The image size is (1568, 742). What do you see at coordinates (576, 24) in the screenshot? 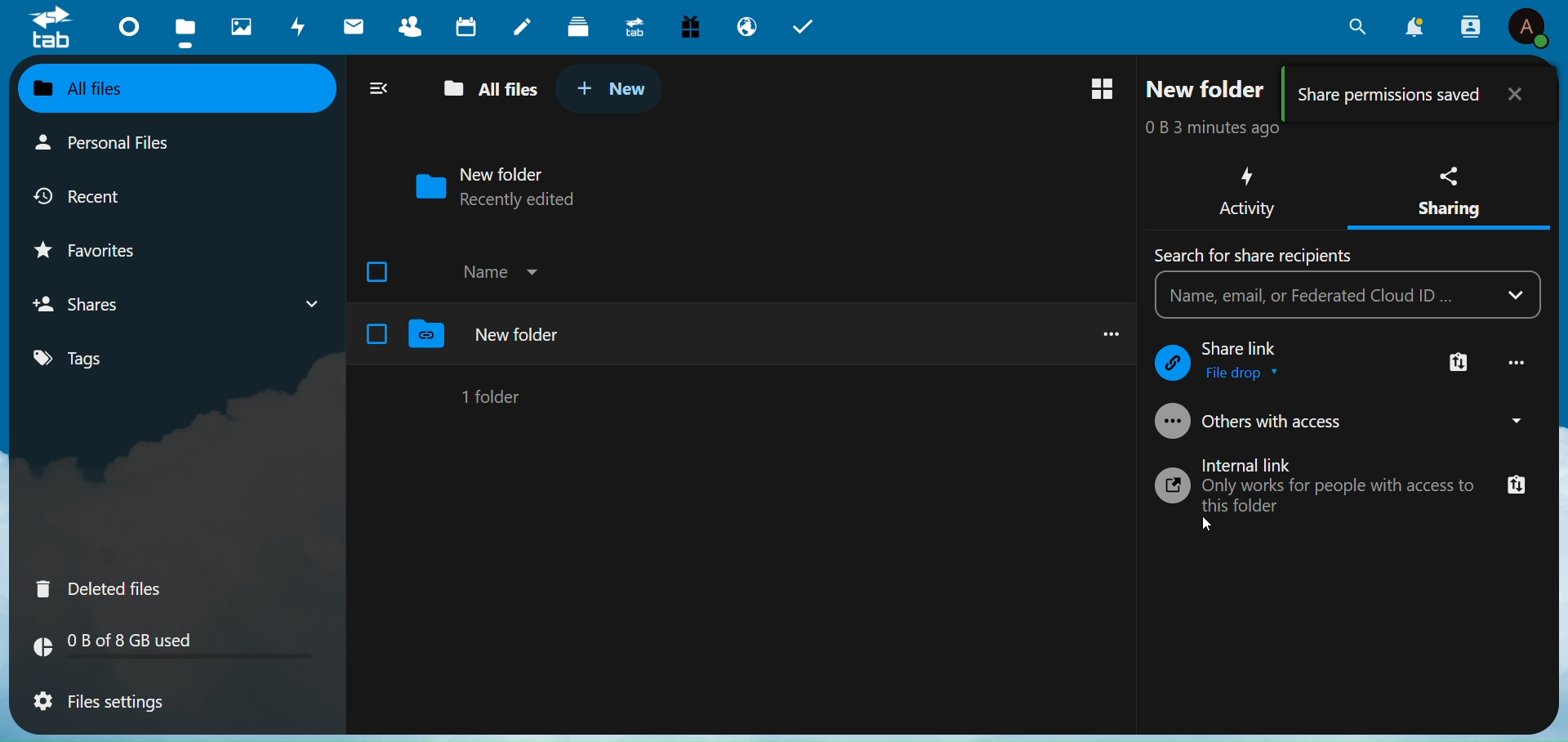
I see `Deck` at bounding box center [576, 24].